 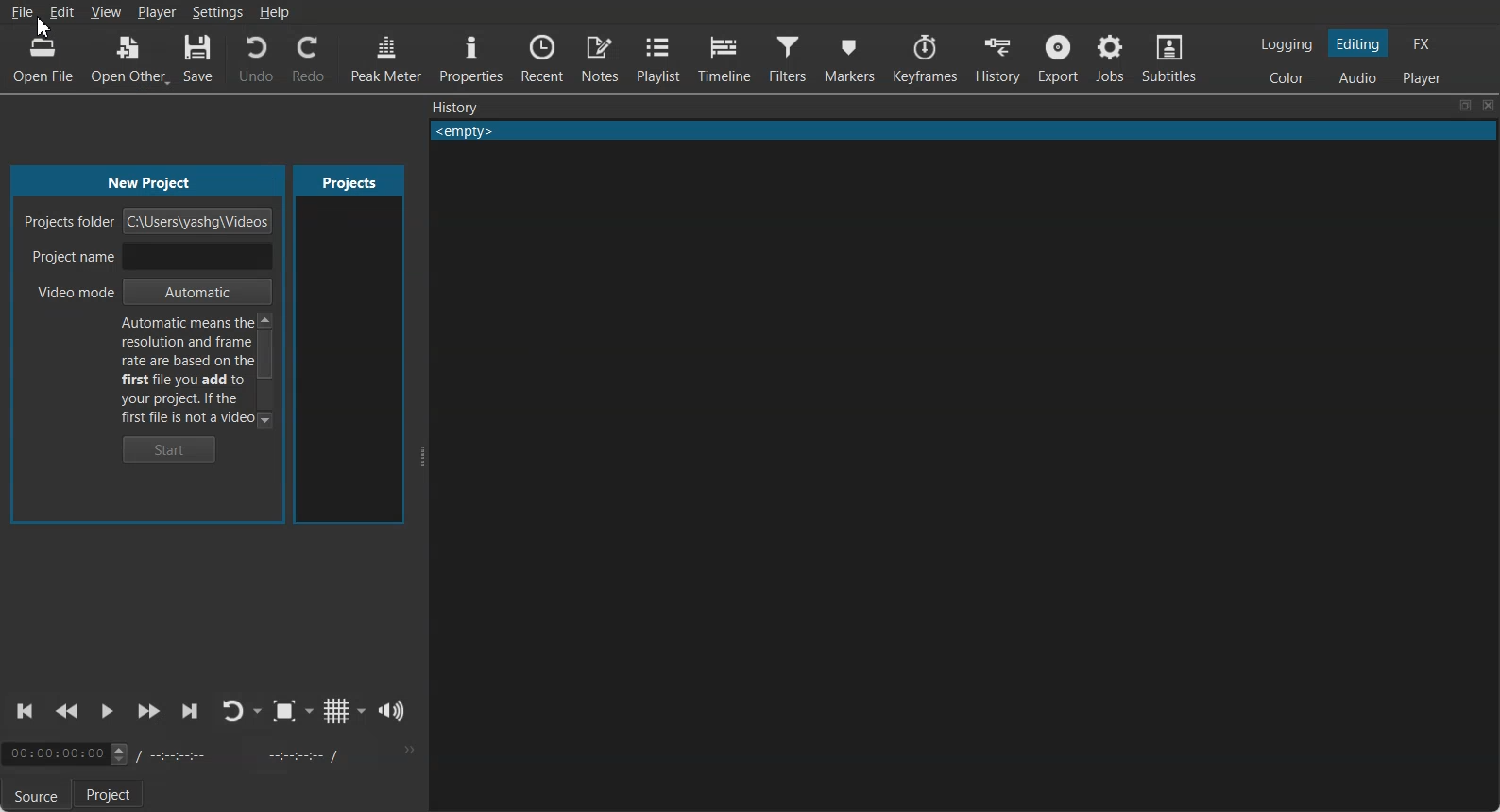 What do you see at coordinates (43, 61) in the screenshot?
I see `Open File` at bounding box center [43, 61].